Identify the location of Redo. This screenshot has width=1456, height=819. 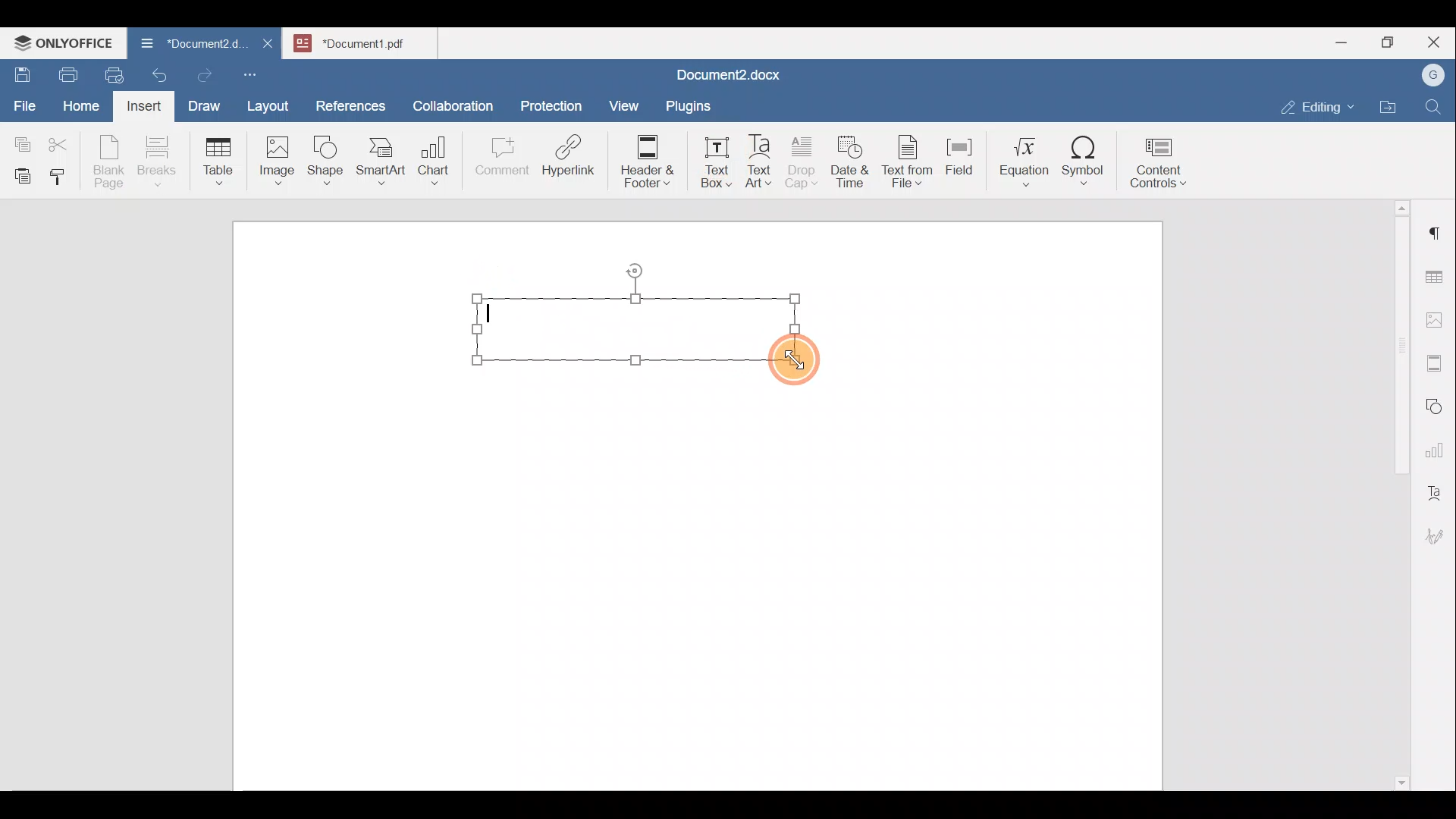
(204, 76).